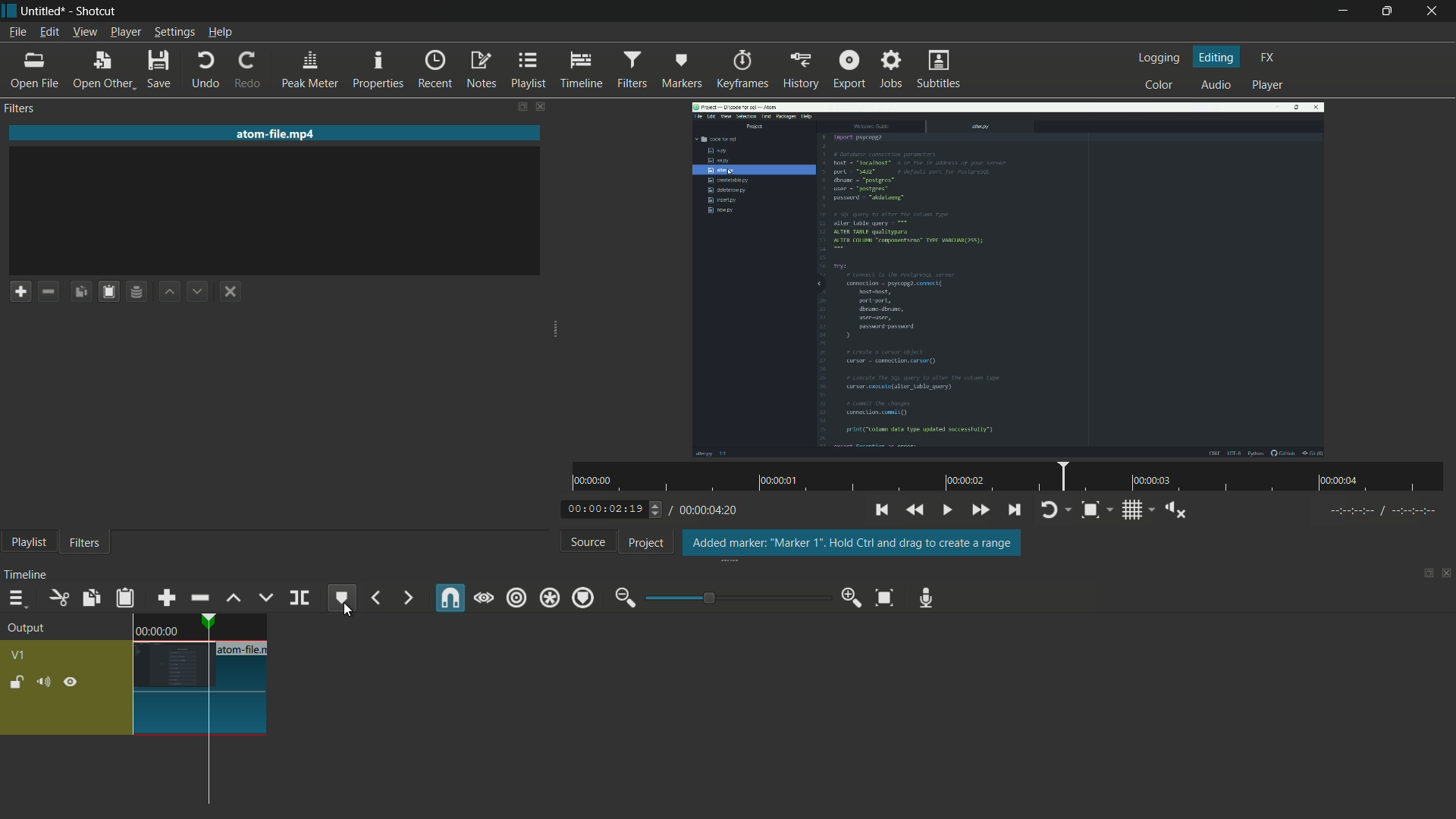 The height and width of the screenshot is (819, 1456). Describe the element at coordinates (123, 33) in the screenshot. I see `player menu` at that location.